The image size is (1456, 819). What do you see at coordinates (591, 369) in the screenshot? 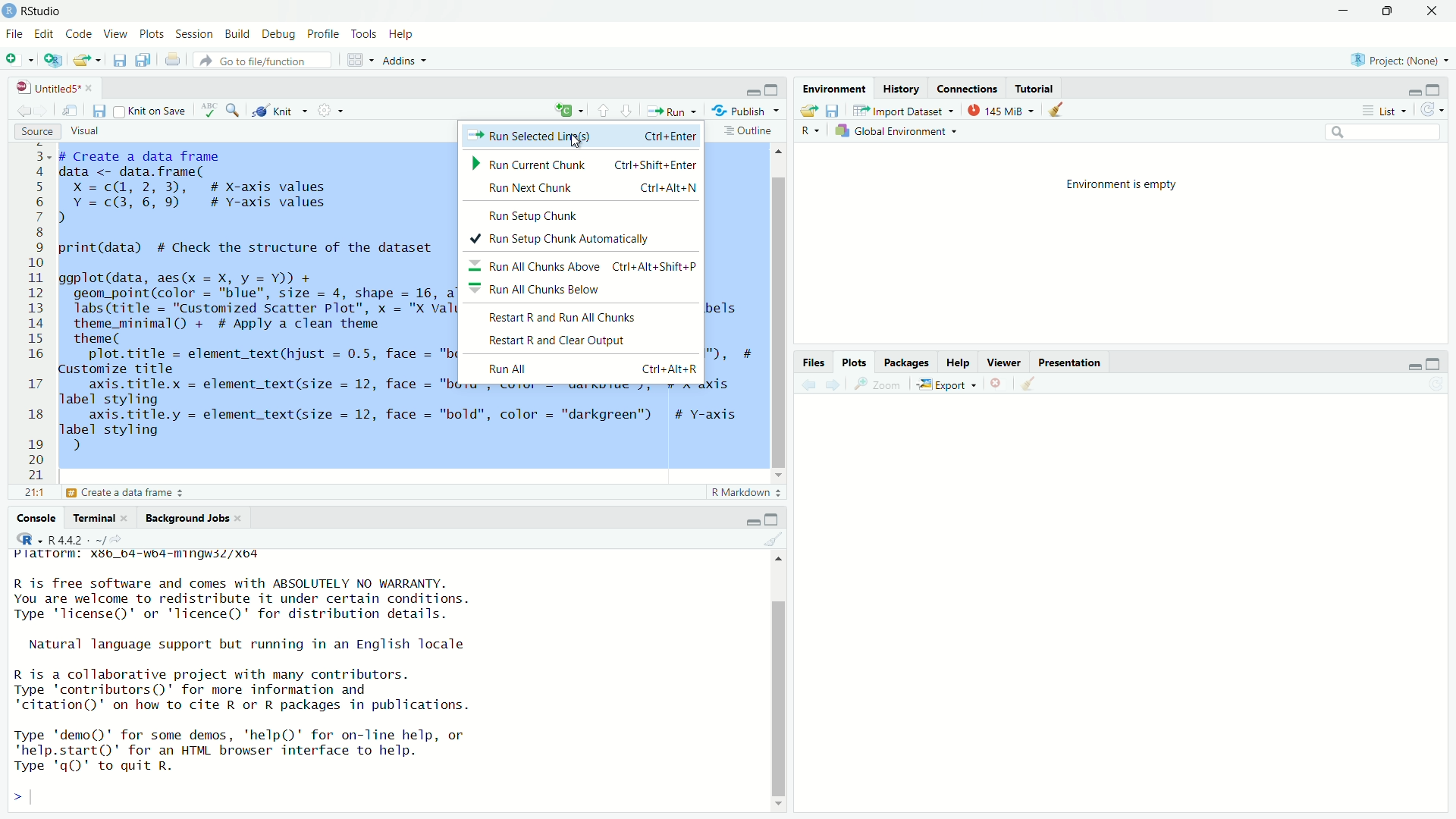
I see `Run All` at bounding box center [591, 369].